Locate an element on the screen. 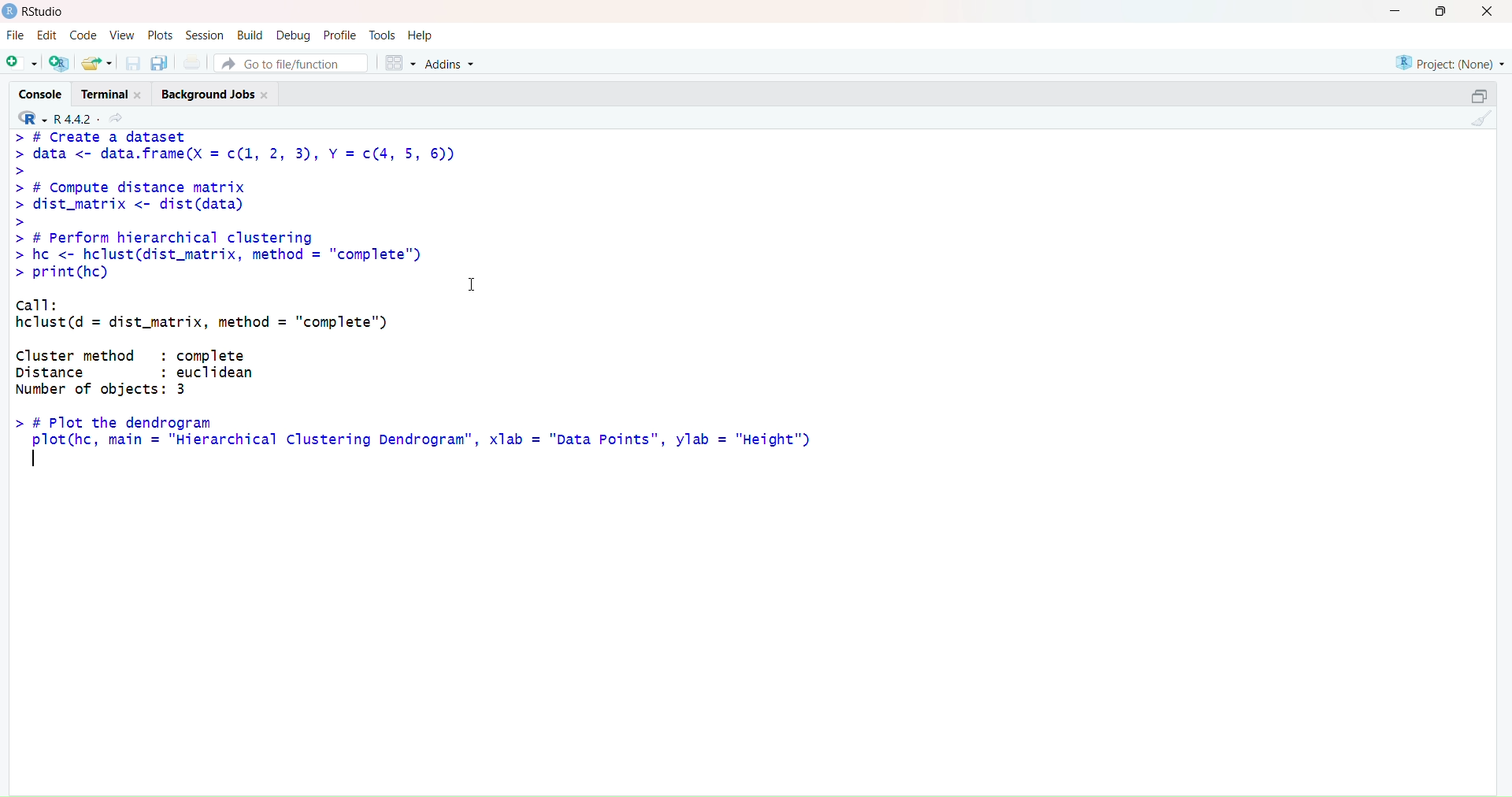 The width and height of the screenshot is (1512, 797). Tools is located at coordinates (380, 36).